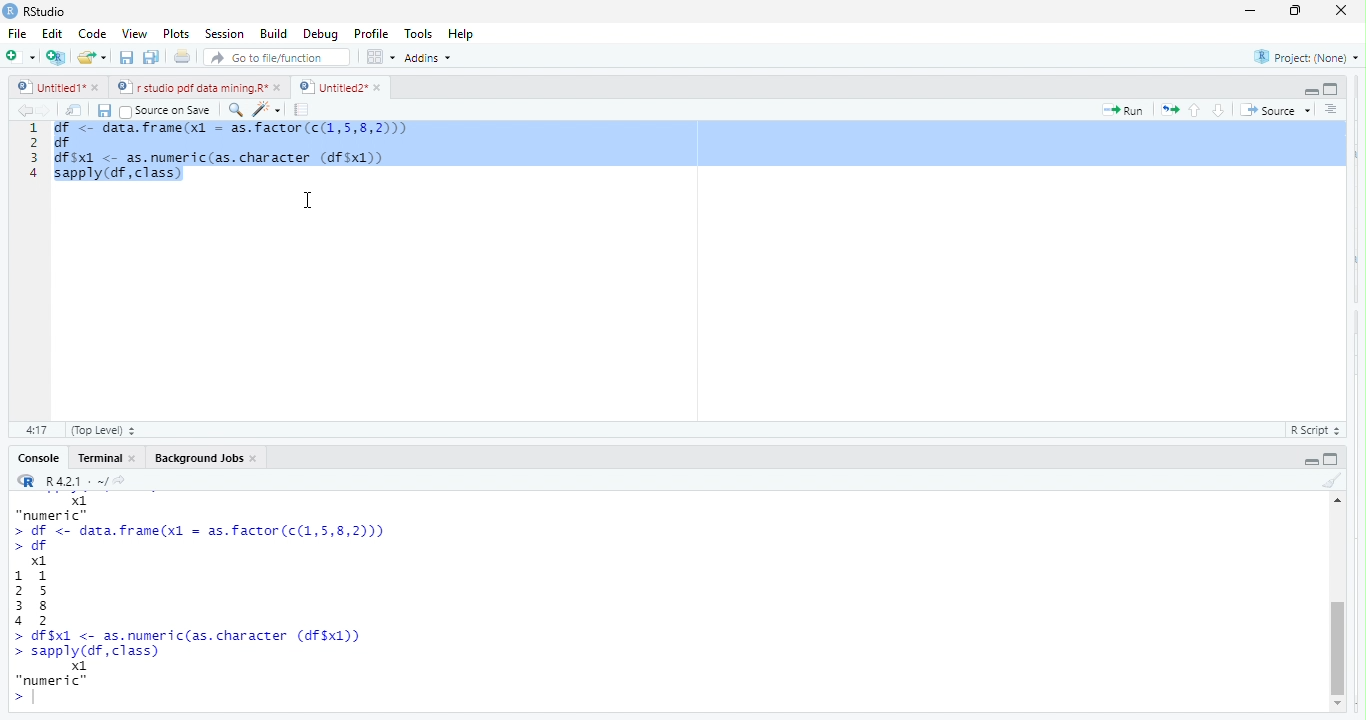 The width and height of the screenshot is (1366, 720). What do you see at coordinates (127, 57) in the screenshot?
I see `save current document` at bounding box center [127, 57].